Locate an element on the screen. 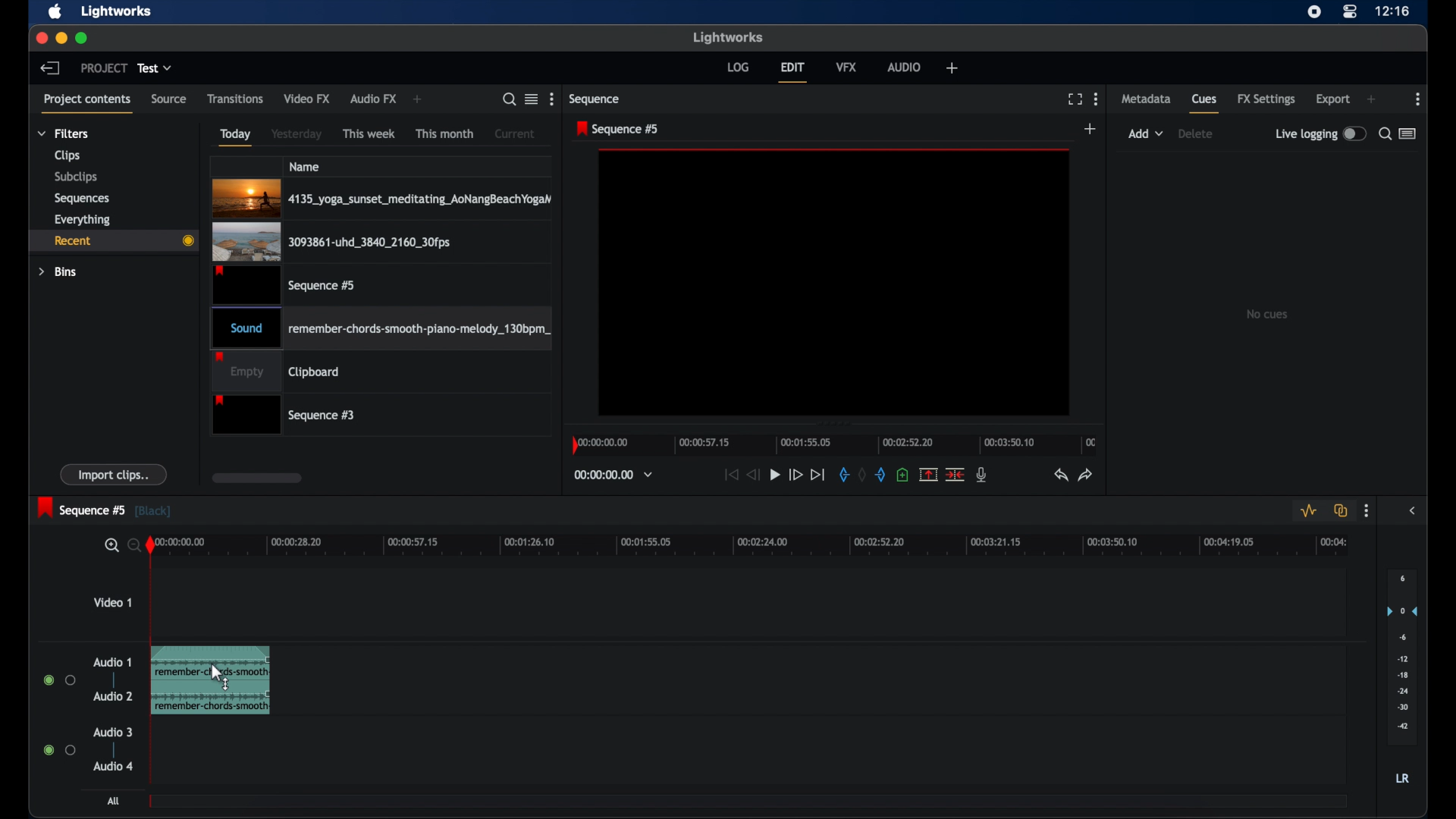 The image size is (1456, 819). fast forward is located at coordinates (795, 475).